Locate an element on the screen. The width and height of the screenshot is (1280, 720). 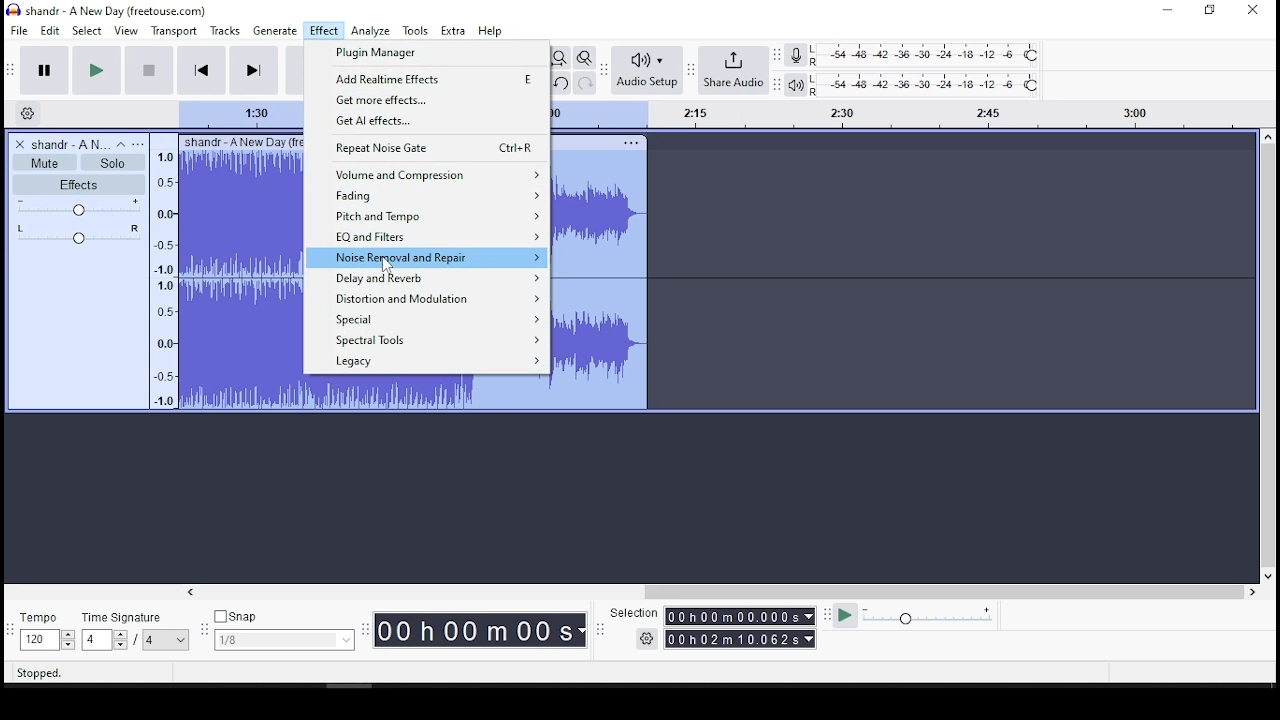
view is located at coordinates (127, 31).